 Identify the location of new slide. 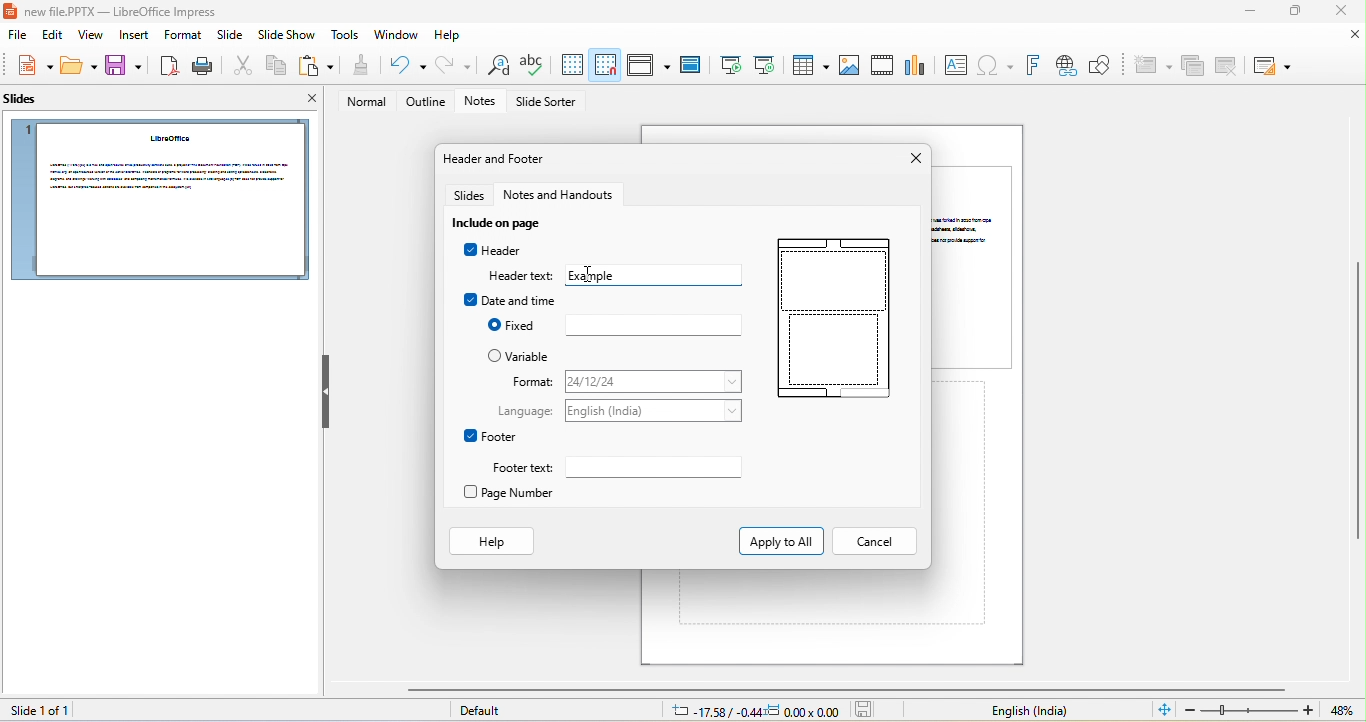
(1151, 66).